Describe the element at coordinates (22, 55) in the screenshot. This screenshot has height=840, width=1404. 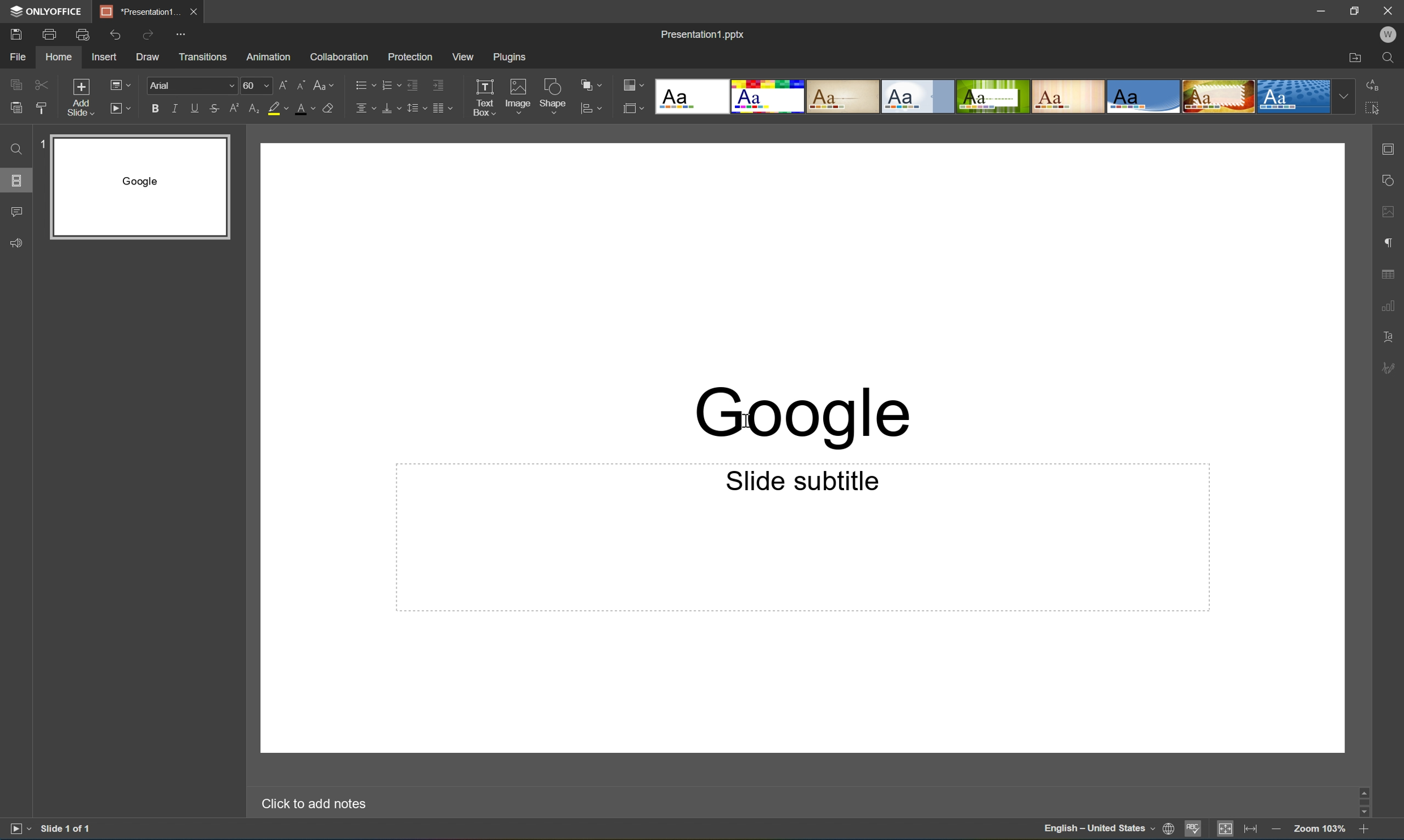
I see `File` at that location.